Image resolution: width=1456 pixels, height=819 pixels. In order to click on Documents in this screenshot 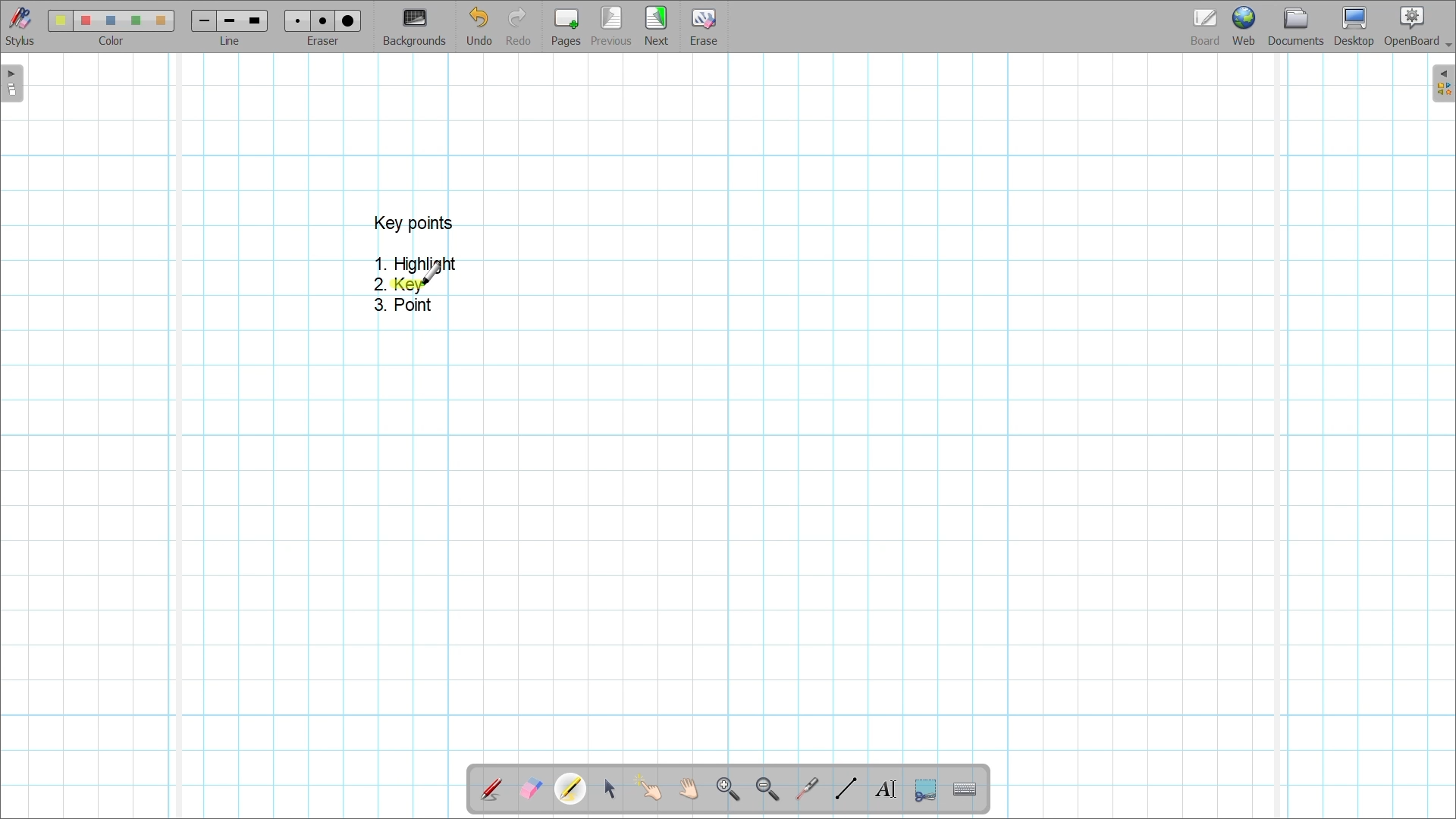, I will do `click(1296, 27)`.